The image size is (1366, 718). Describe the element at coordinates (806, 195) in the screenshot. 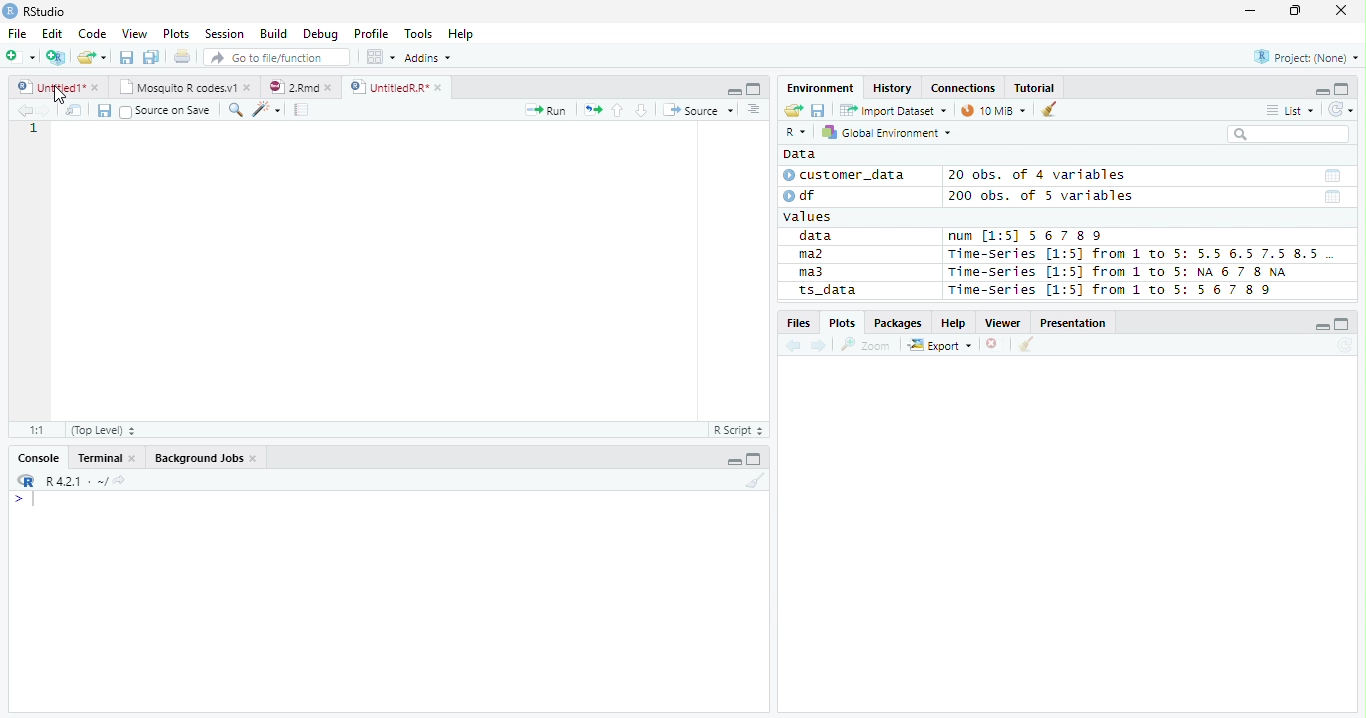

I see `df` at that location.